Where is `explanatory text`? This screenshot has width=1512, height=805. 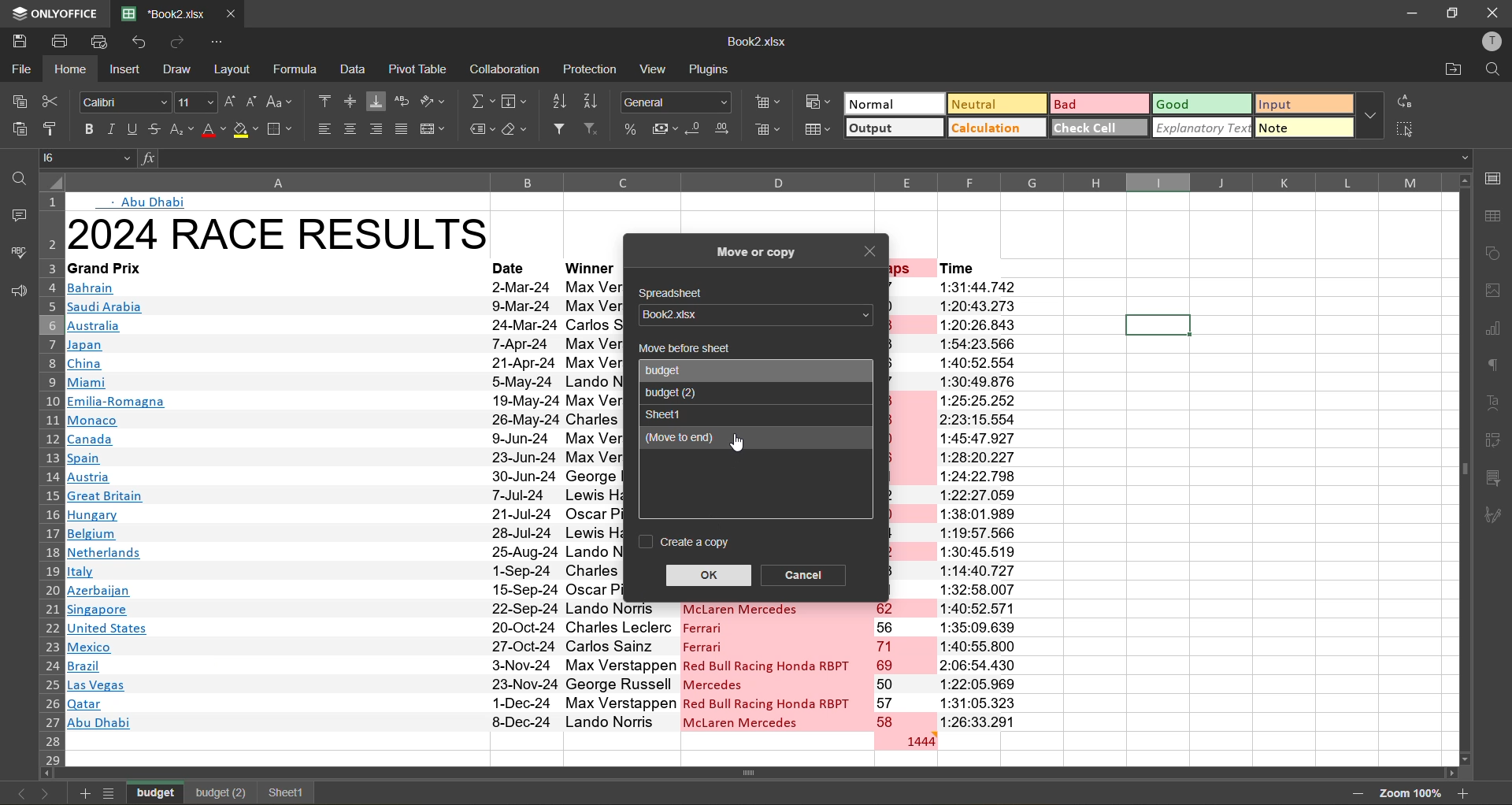
explanatory text is located at coordinates (1203, 127).